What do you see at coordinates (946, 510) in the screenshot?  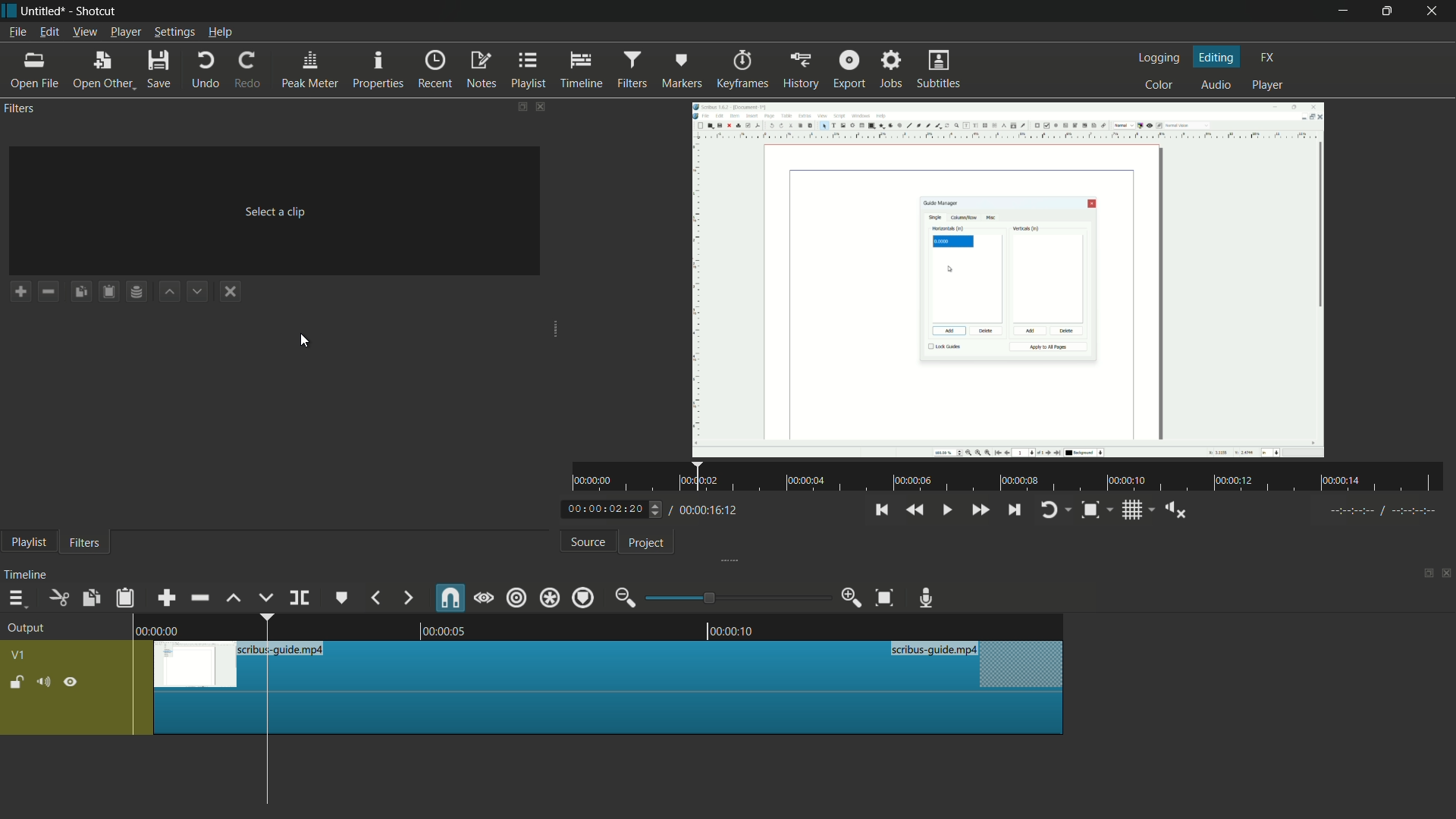 I see `toggle play or pause` at bounding box center [946, 510].